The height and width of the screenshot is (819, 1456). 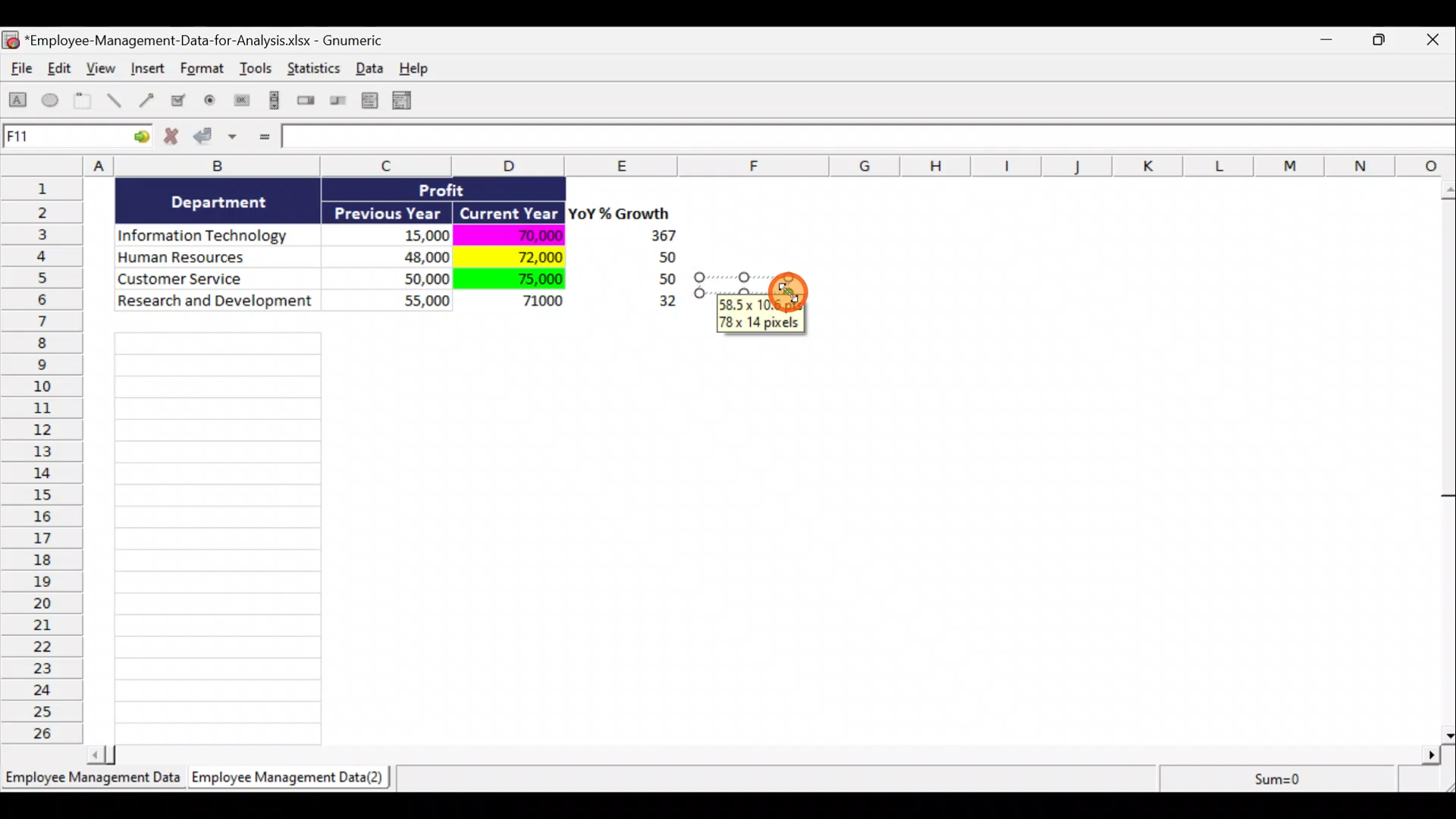 What do you see at coordinates (406, 256) in the screenshot?
I see `Data` at bounding box center [406, 256].